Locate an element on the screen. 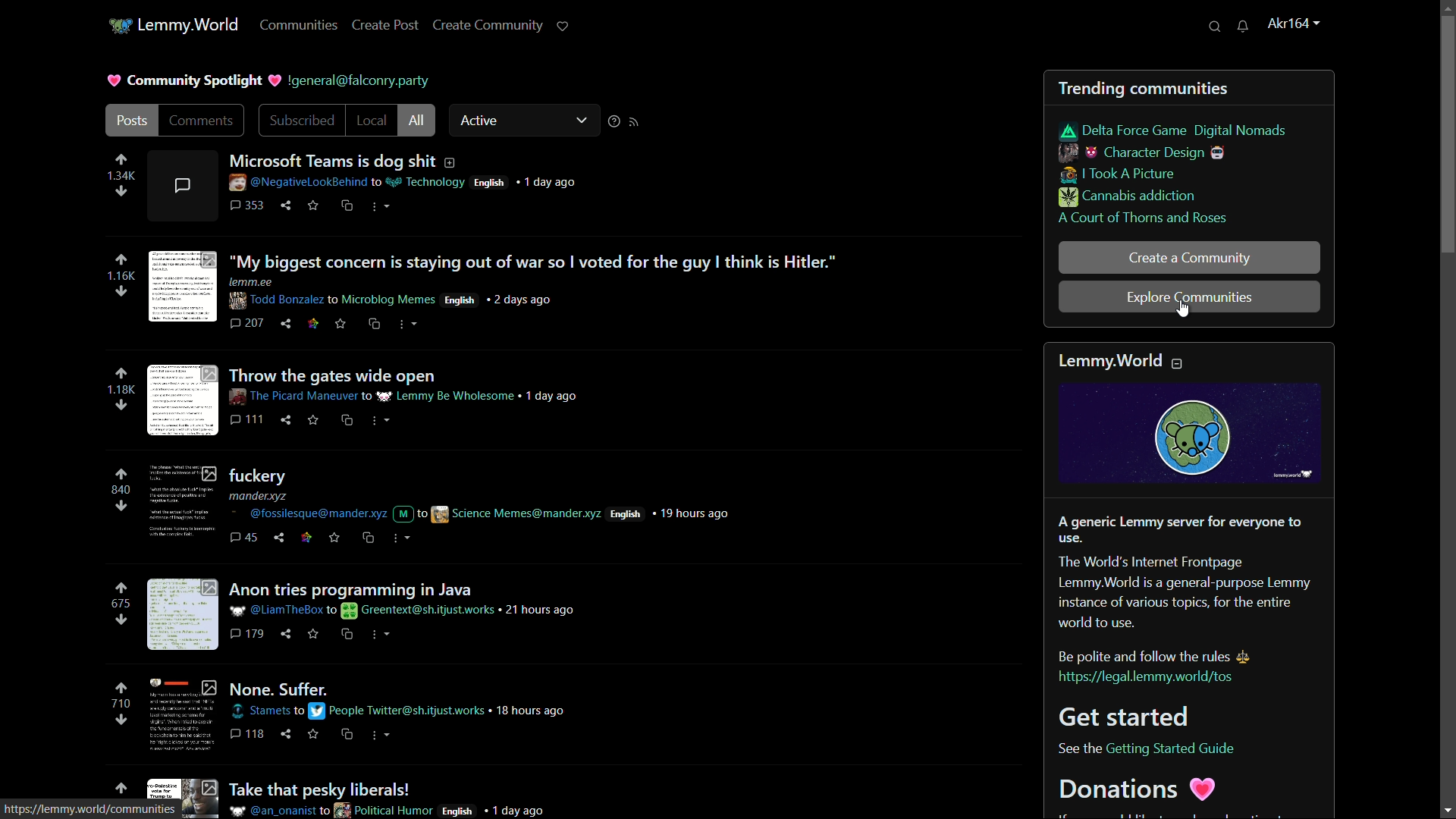 The width and height of the screenshot is (1456, 819). post-6 is located at coordinates (283, 686).